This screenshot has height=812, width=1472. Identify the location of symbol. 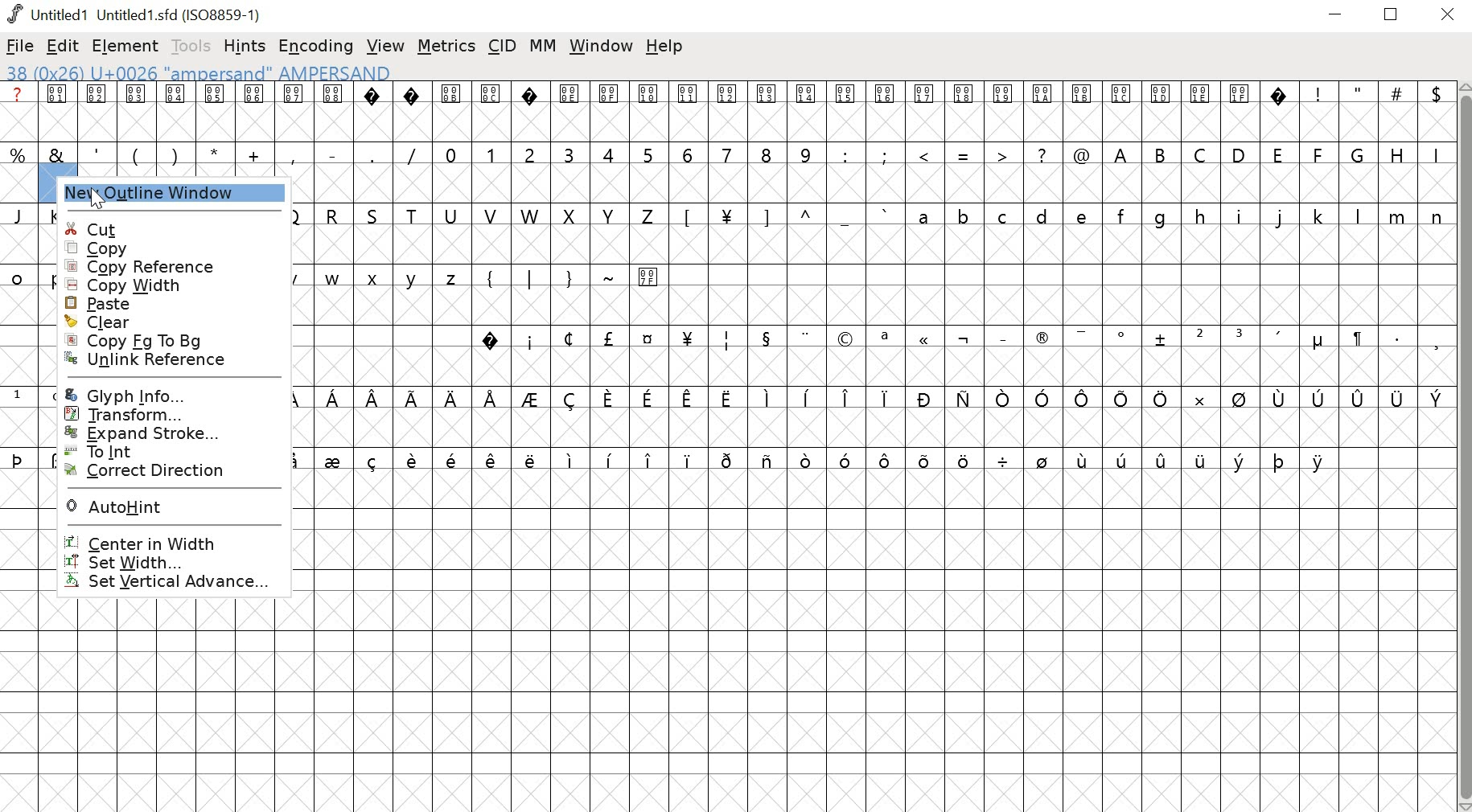
(886, 459).